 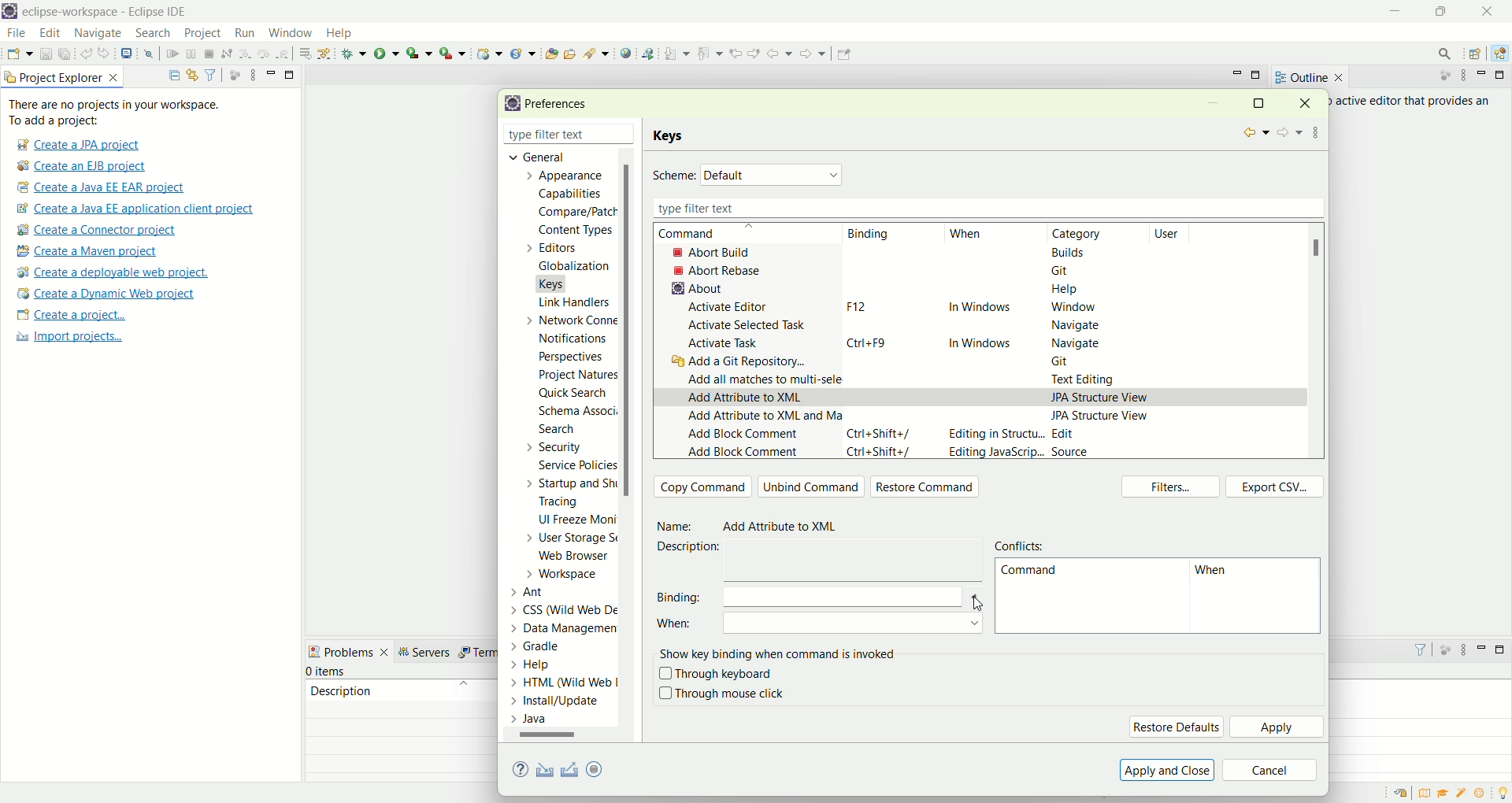 What do you see at coordinates (1321, 248) in the screenshot?
I see `scroll bar` at bounding box center [1321, 248].